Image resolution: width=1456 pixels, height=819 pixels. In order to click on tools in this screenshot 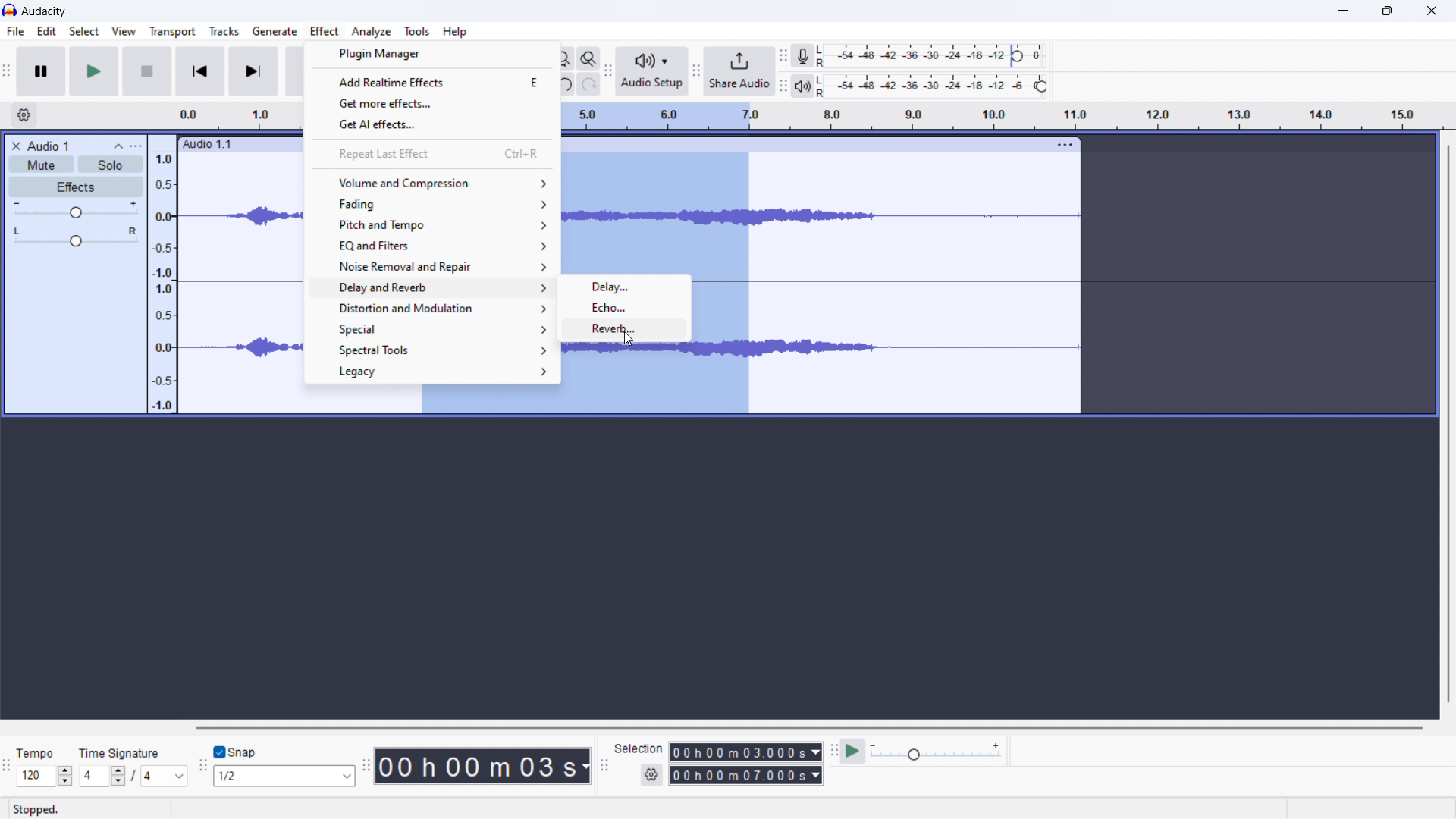, I will do `click(418, 31)`.